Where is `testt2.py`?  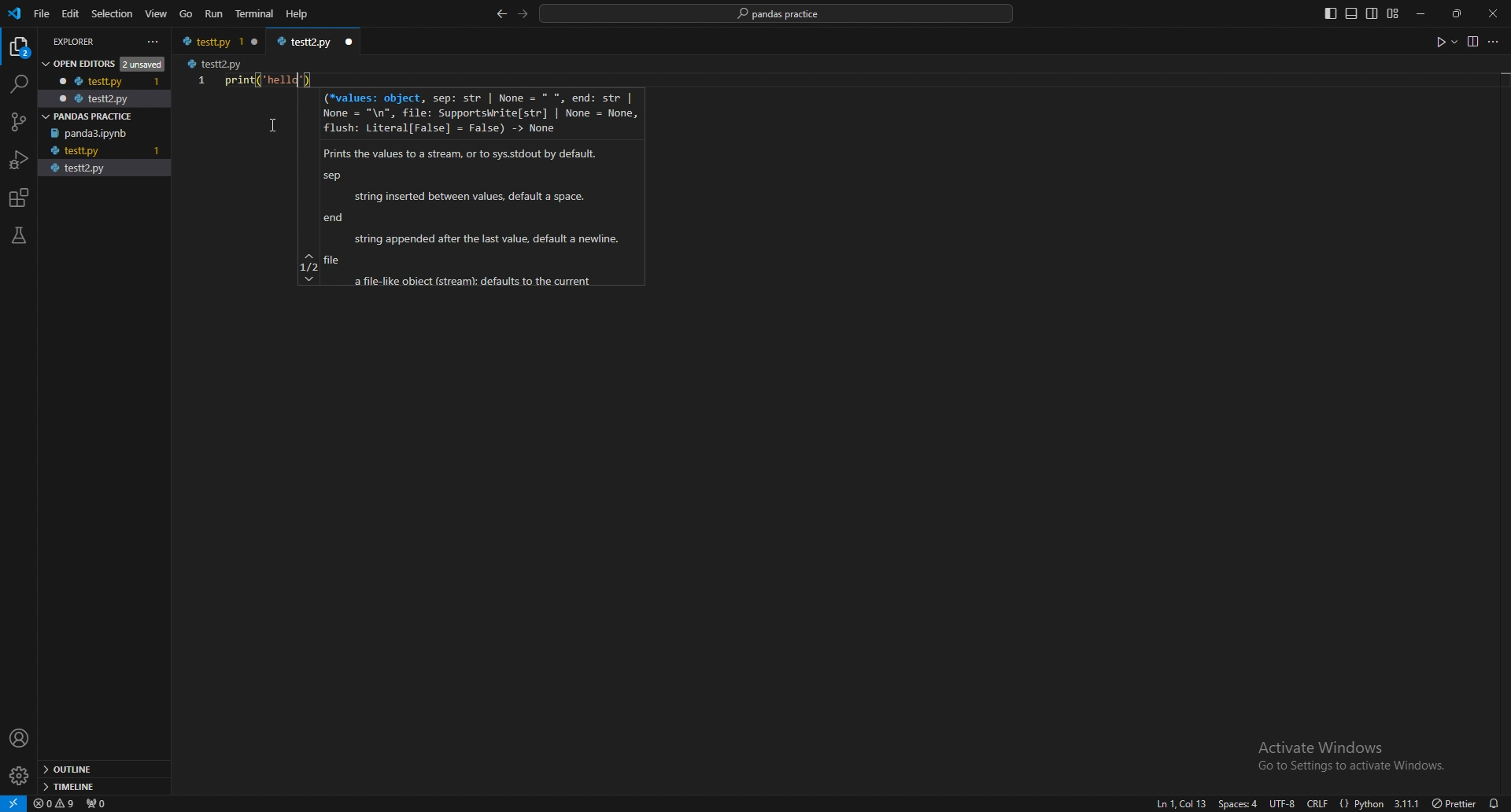 testt2.py is located at coordinates (218, 63).